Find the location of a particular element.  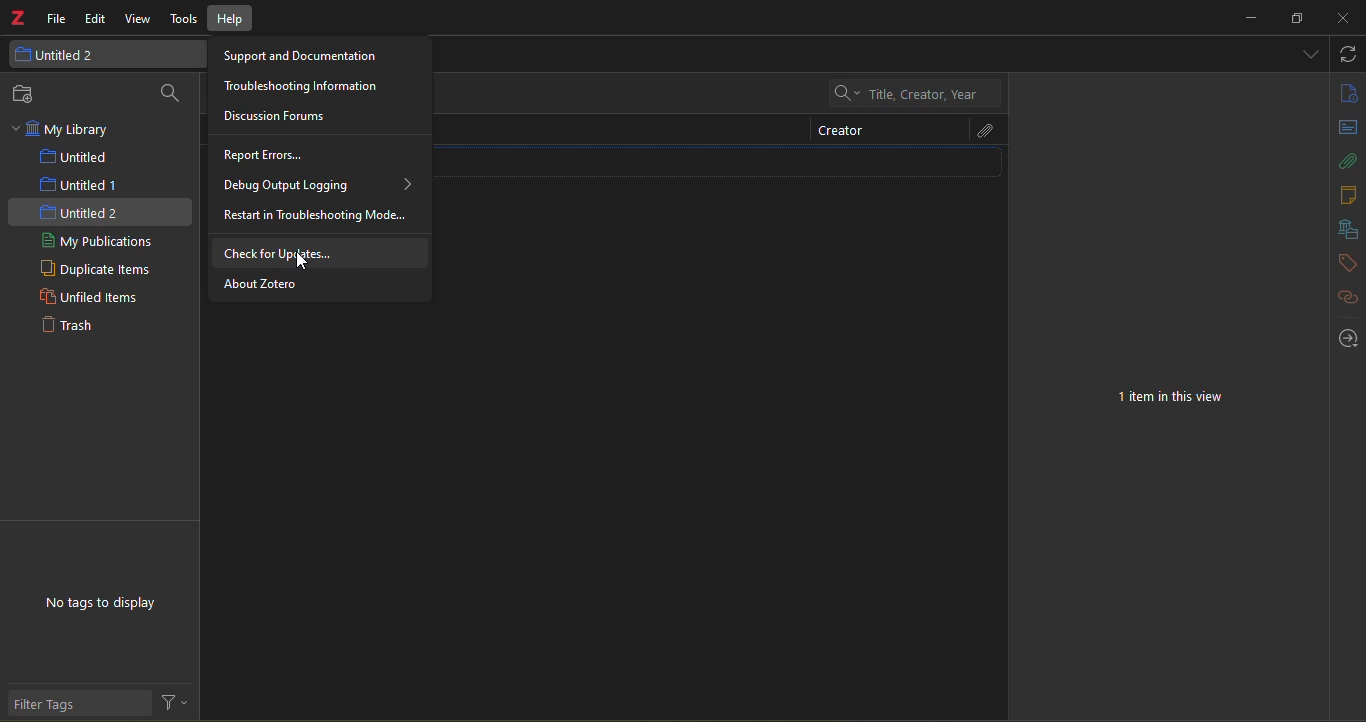

search is located at coordinates (168, 93).